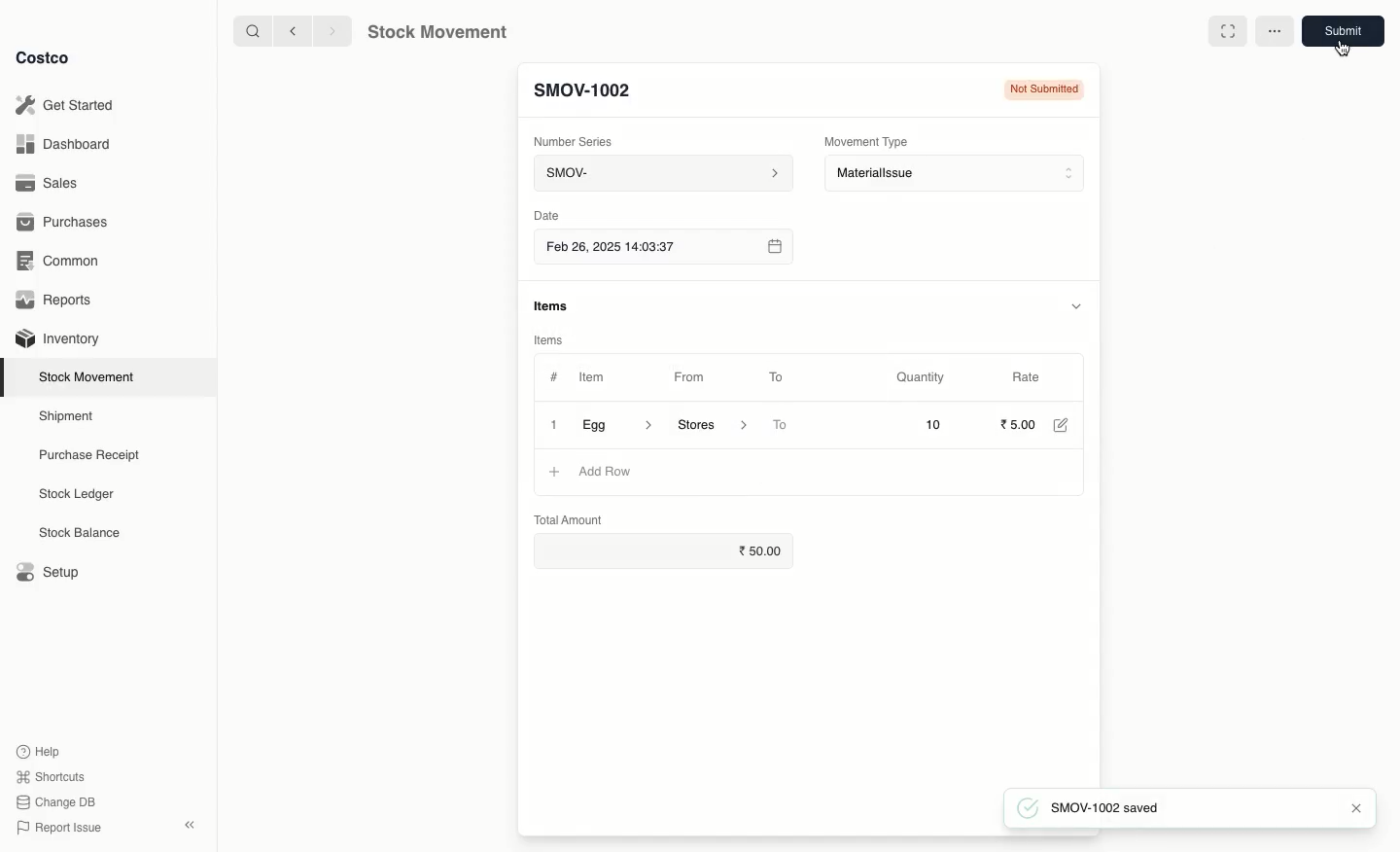 The width and height of the screenshot is (1400, 852). Describe the element at coordinates (867, 141) in the screenshot. I see `Movement Type` at that location.